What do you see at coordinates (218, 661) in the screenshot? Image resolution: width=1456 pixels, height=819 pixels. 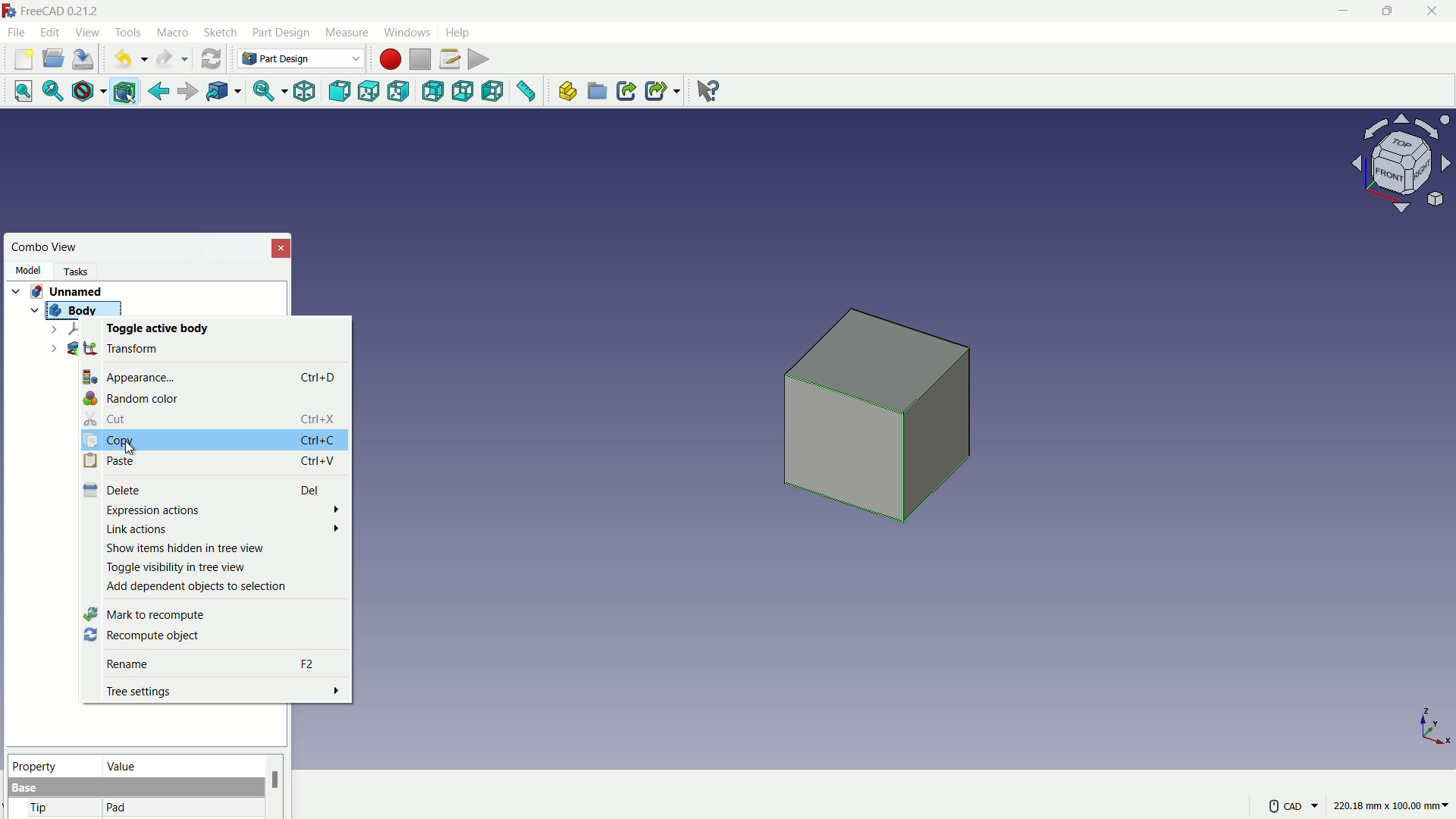 I see `Rename  F2` at bounding box center [218, 661].